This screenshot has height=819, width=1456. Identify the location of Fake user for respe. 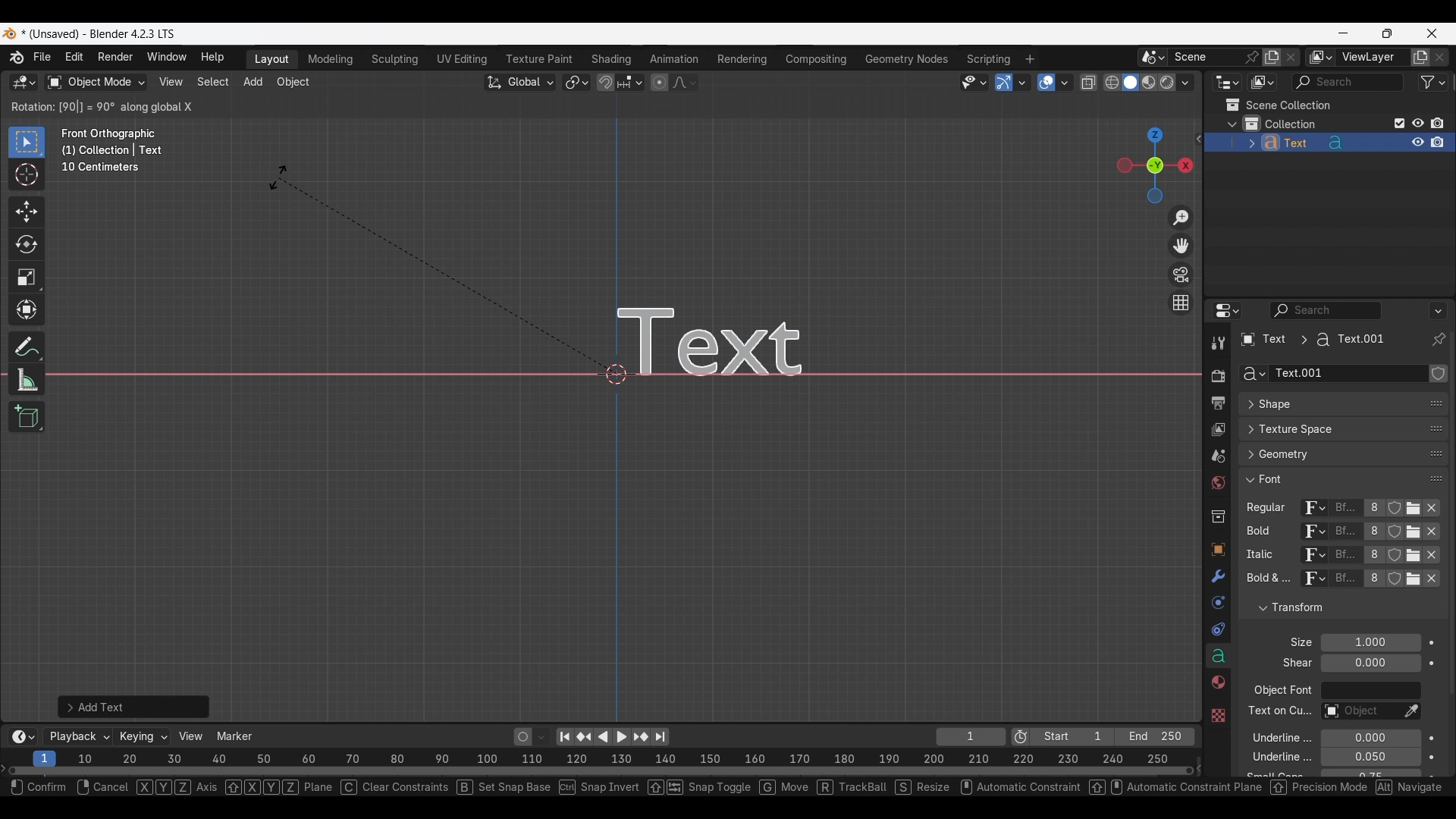
(1395, 544).